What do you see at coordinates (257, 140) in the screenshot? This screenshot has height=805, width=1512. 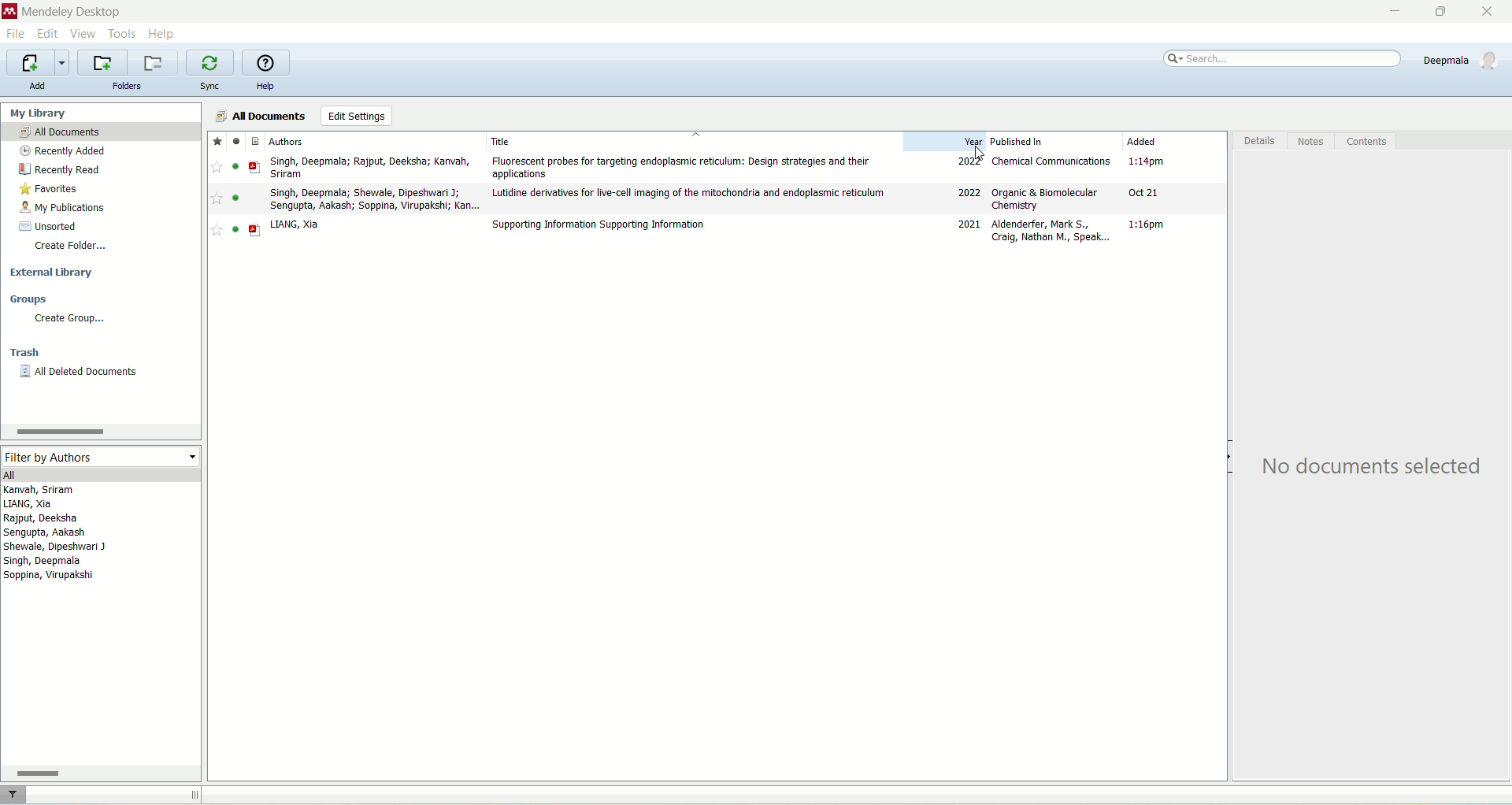 I see `Document type` at bounding box center [257, 140].